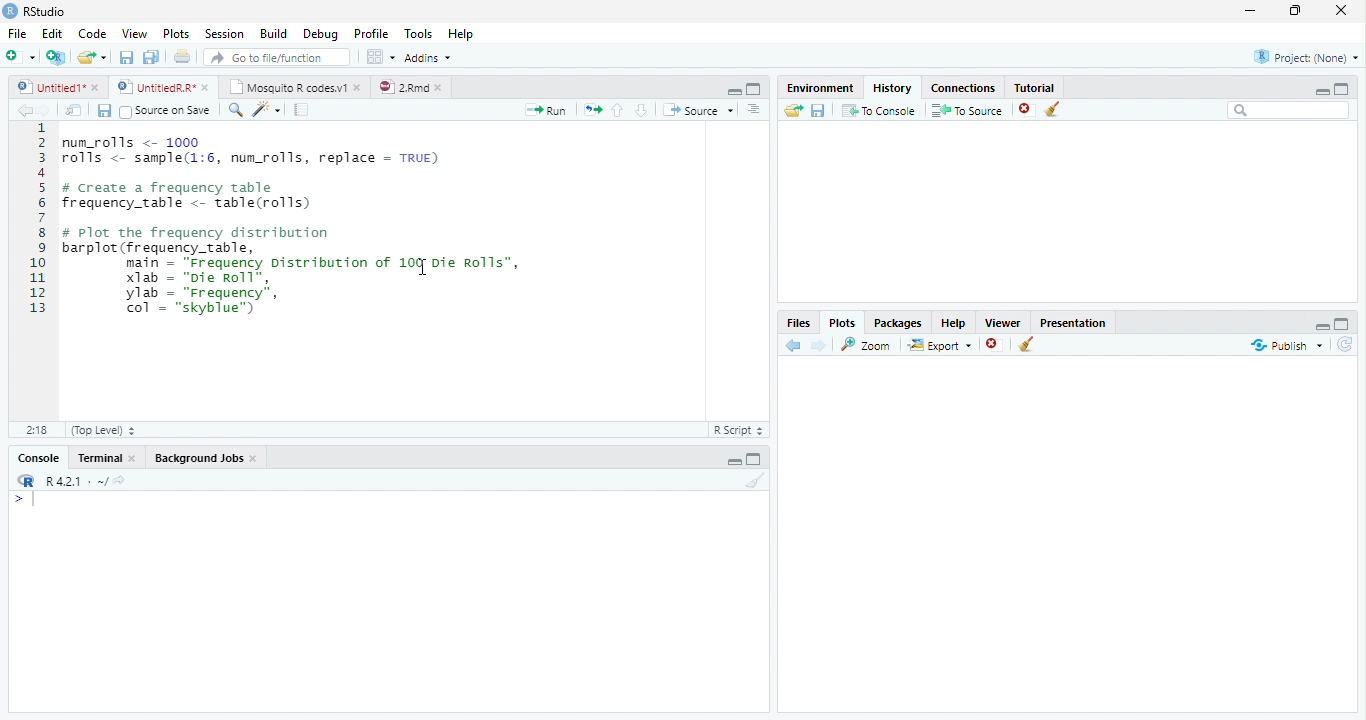  Describe the element at coordinates (225, 33) in the screenshot. I see `Session` at that location.